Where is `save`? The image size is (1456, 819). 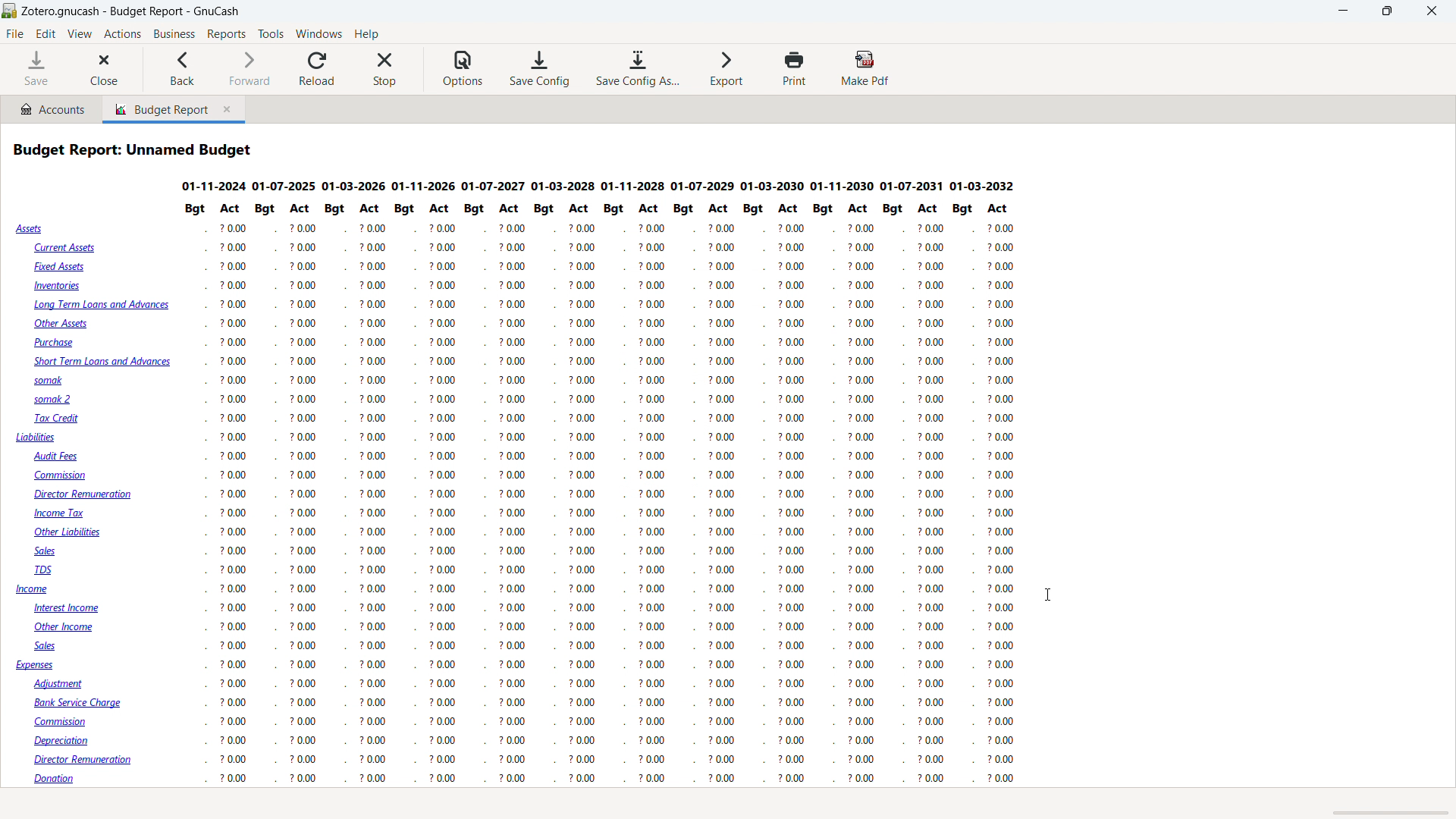
save is located at coordinates (36, 69).